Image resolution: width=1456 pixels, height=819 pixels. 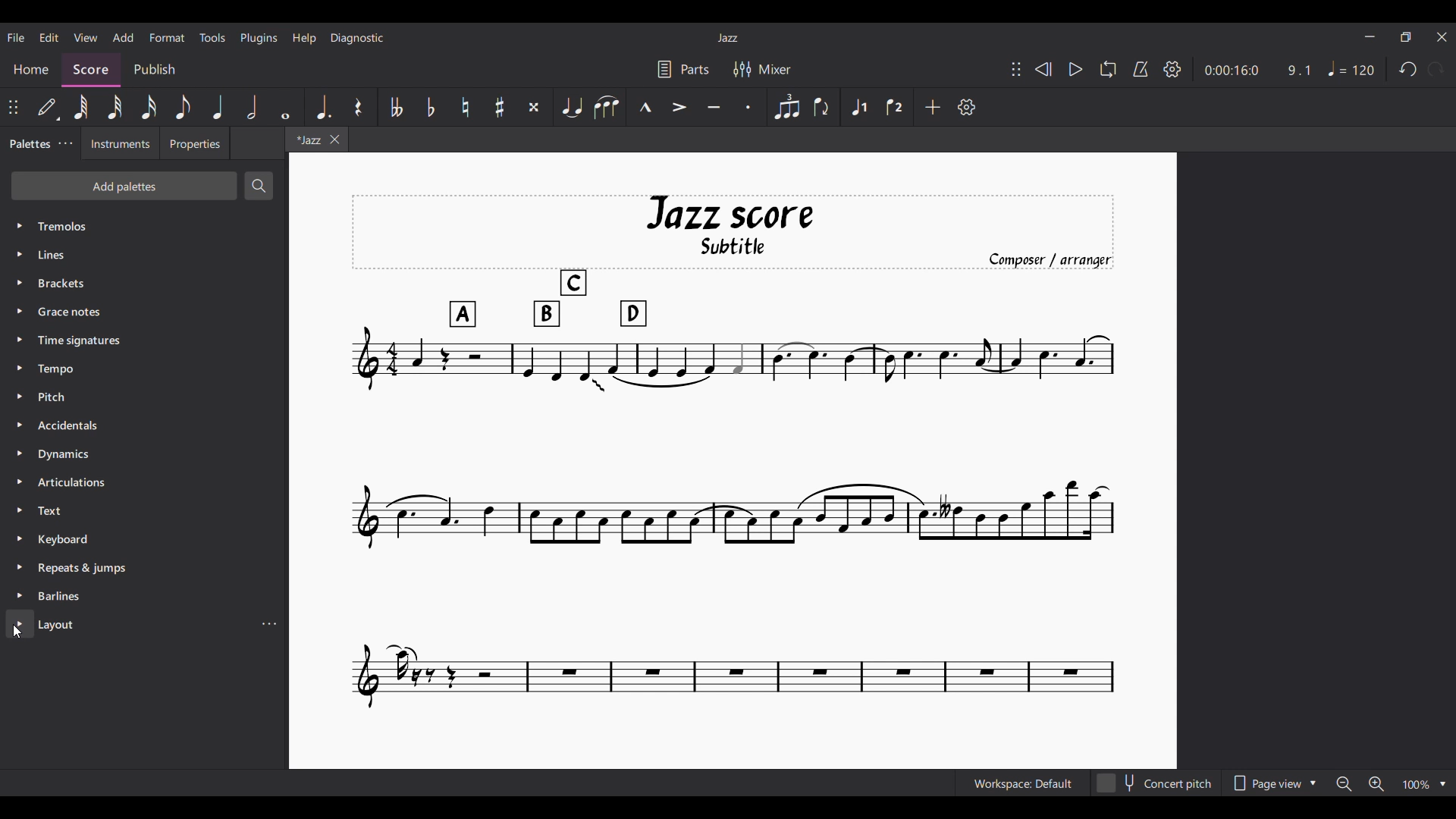 I want to click on View menu, so click(x=86, y=37).